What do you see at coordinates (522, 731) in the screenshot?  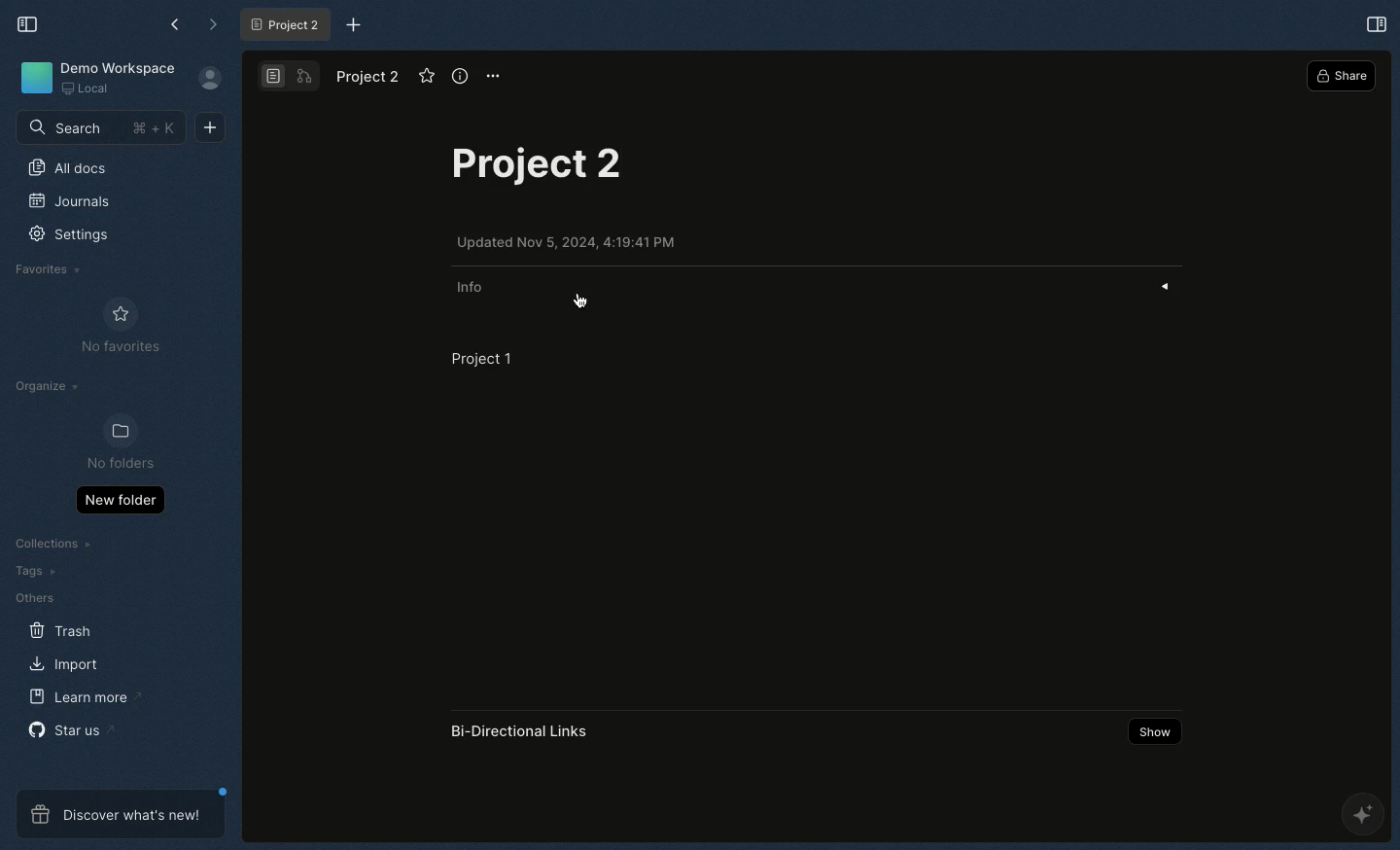 I see `Bi-directional links` at bounding box center [522, 731].